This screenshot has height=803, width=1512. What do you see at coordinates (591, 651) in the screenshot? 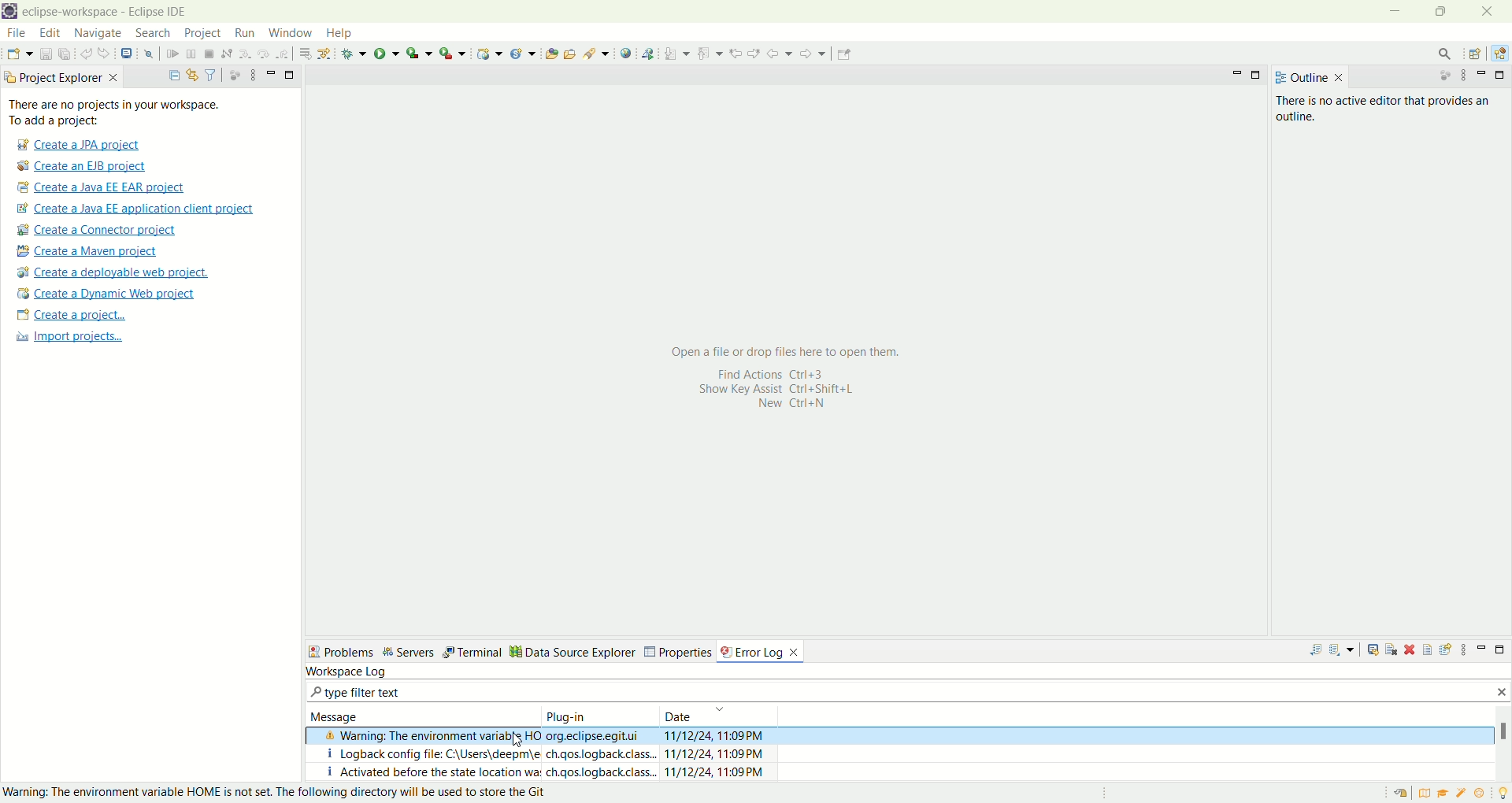
I see `data source explorer` at bounding box center [591, 651].